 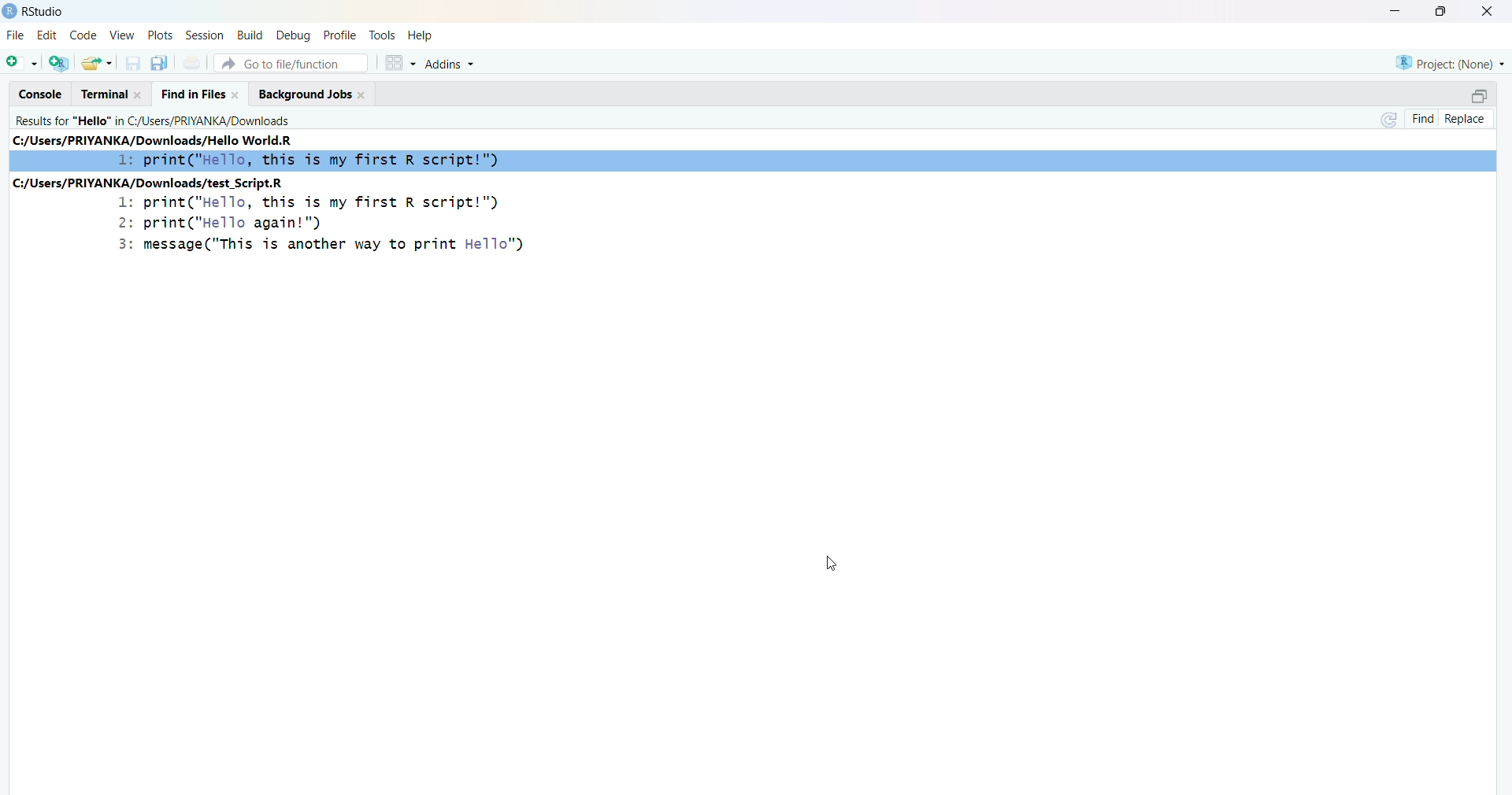 I want to click on RStudio, so click(x=43, y=12).